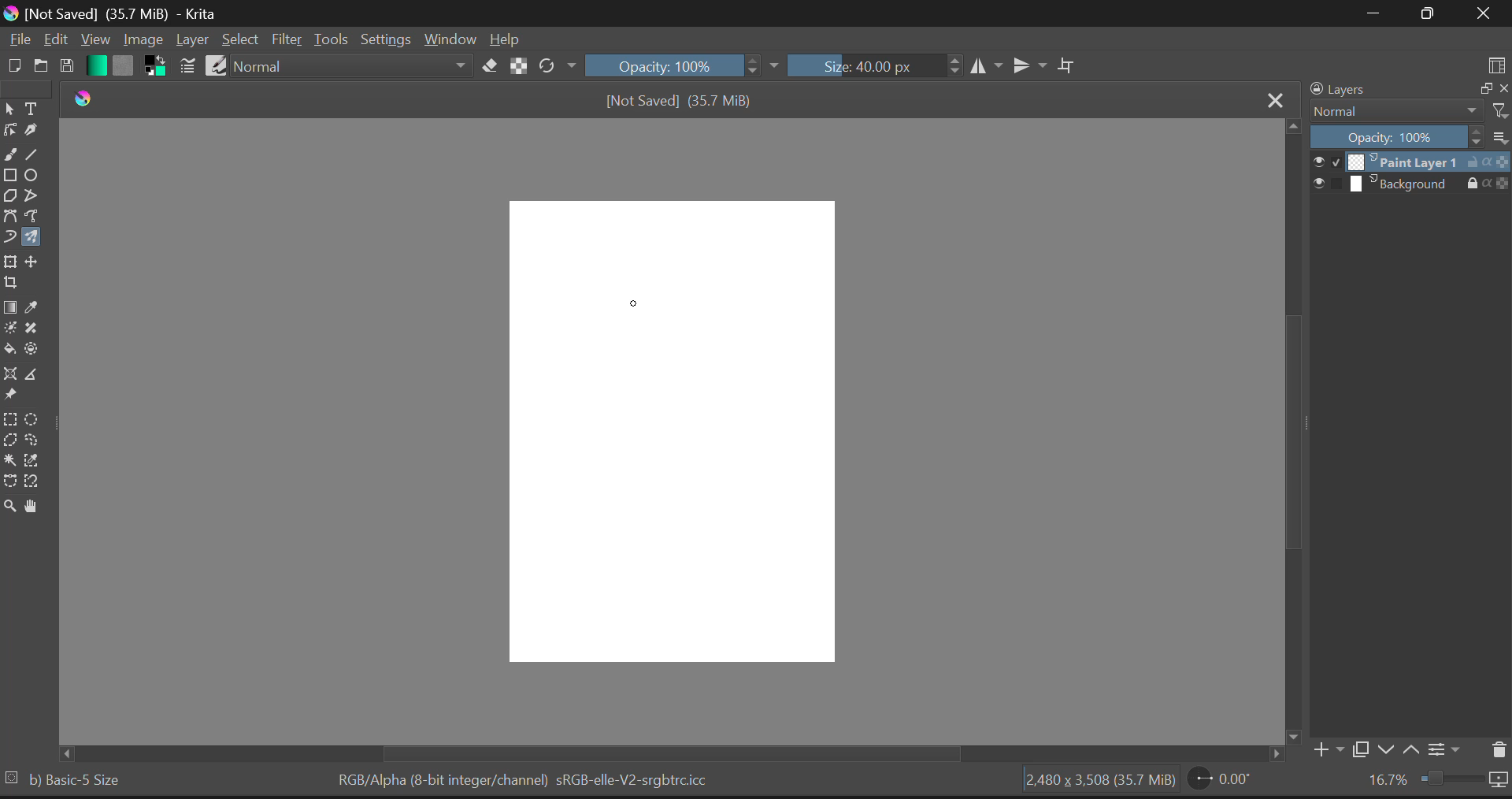 This screenshot has height=799, width=1512. What do you see at coordinates (1496, 65) in the screenshot?
I see `Choose Workspace` at bounding box center [1496, 65].